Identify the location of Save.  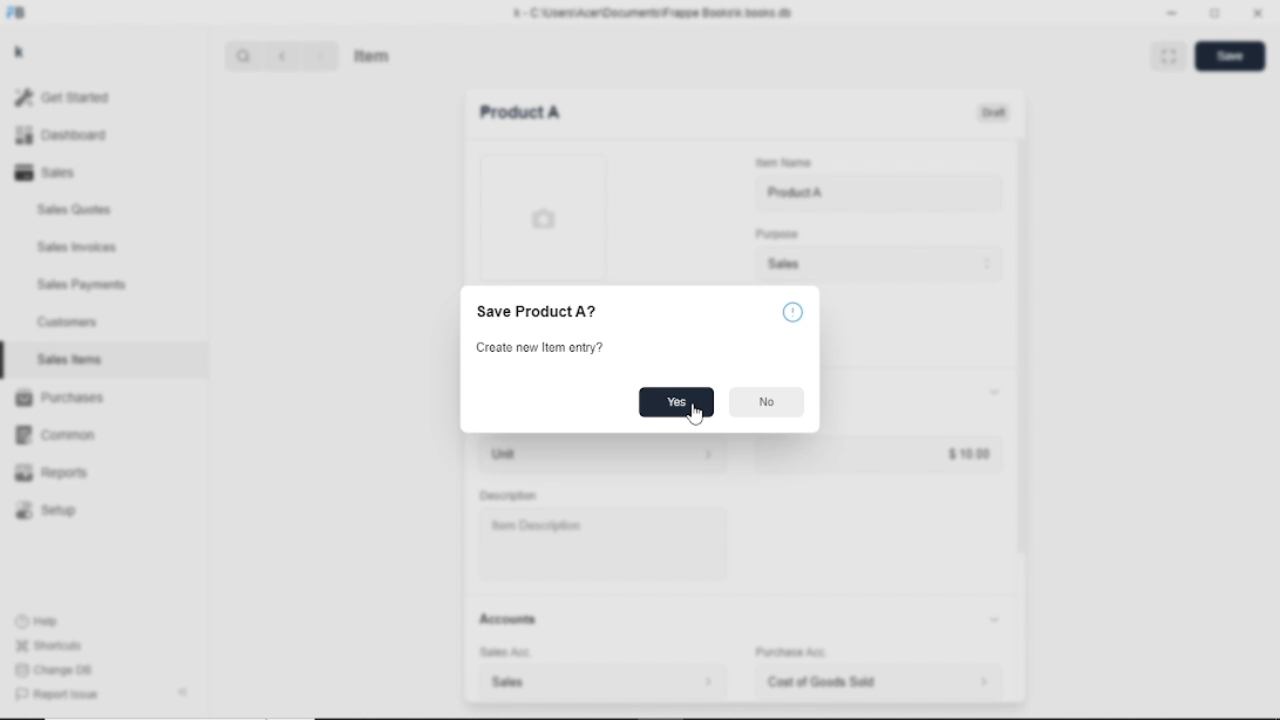
(1231, 56).